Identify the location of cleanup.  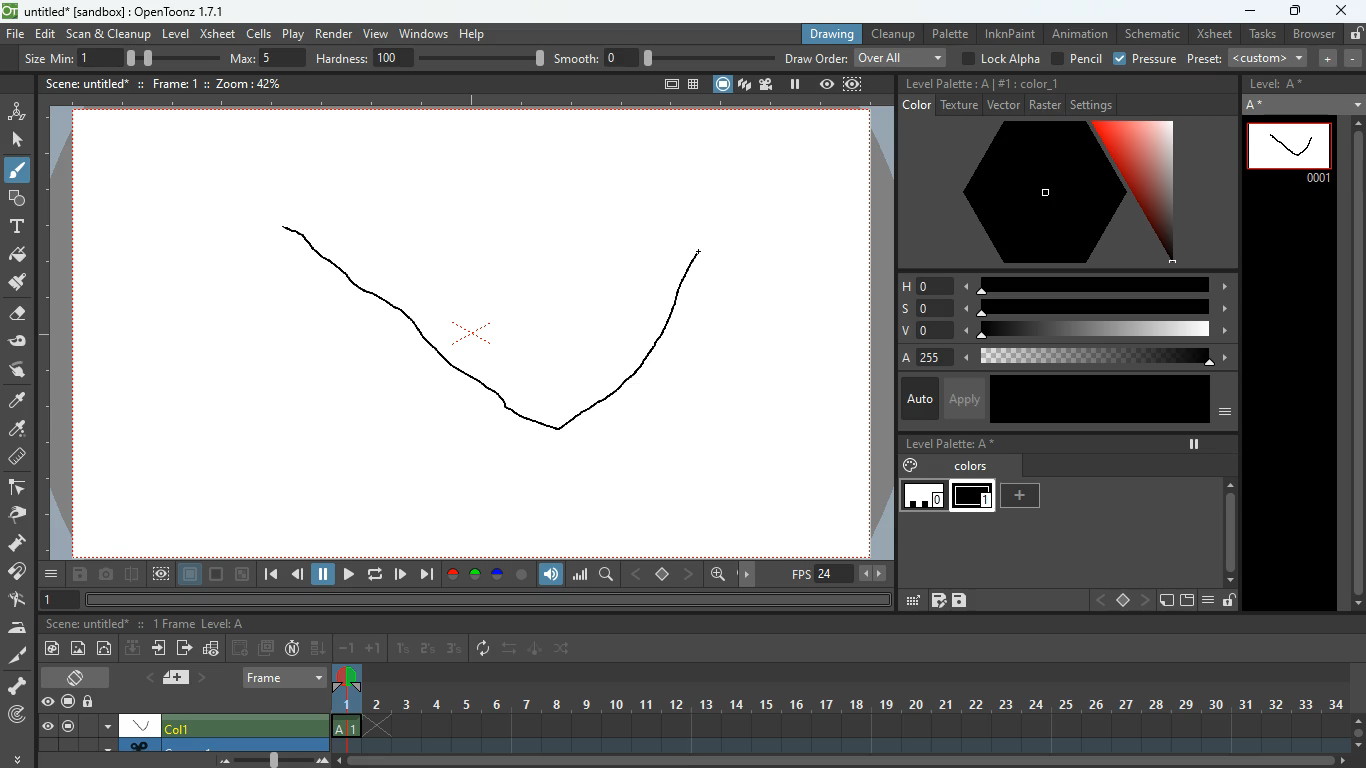
(894, 33).